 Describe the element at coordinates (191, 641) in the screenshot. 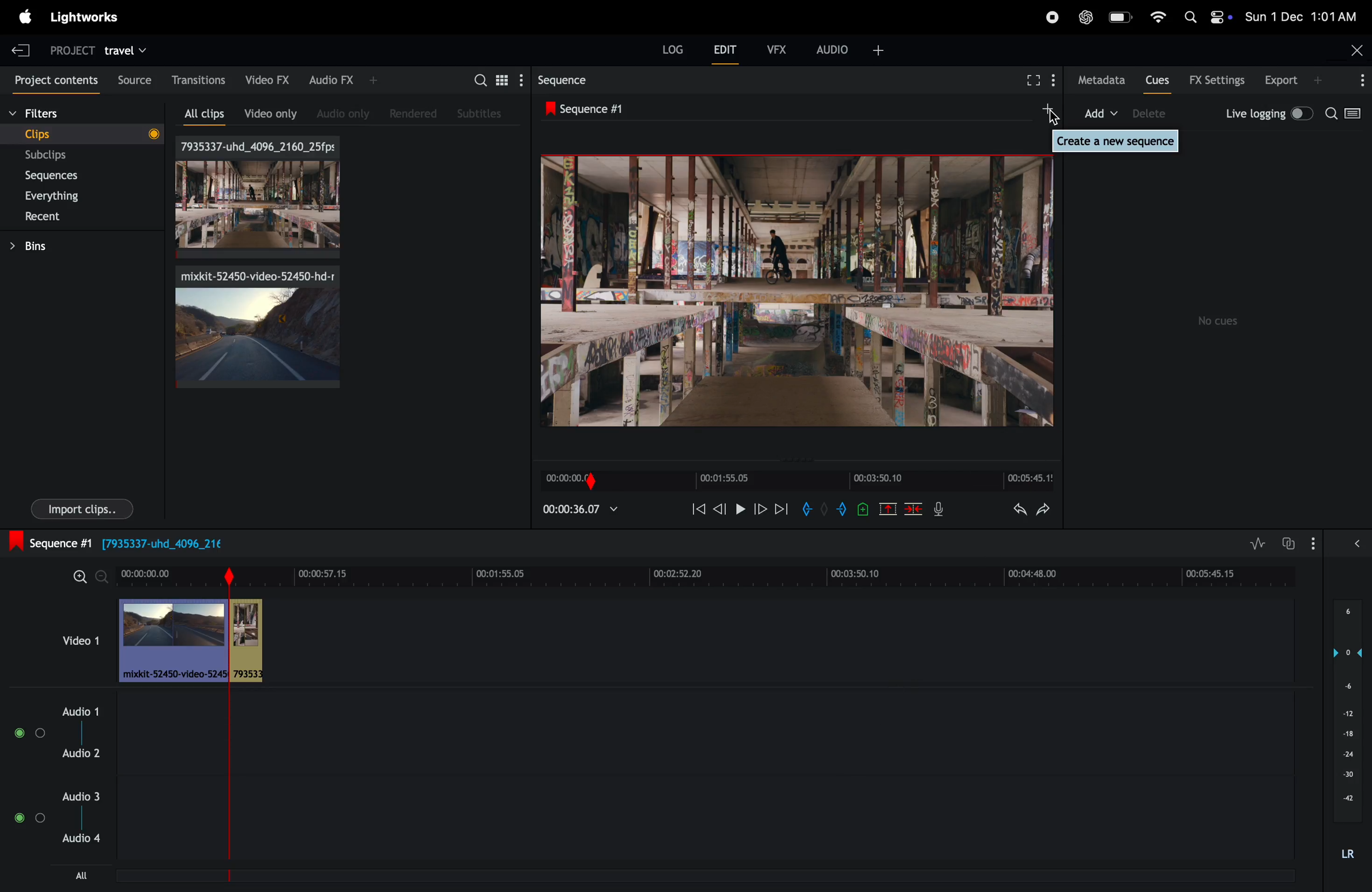

I see `video clips` at that location.